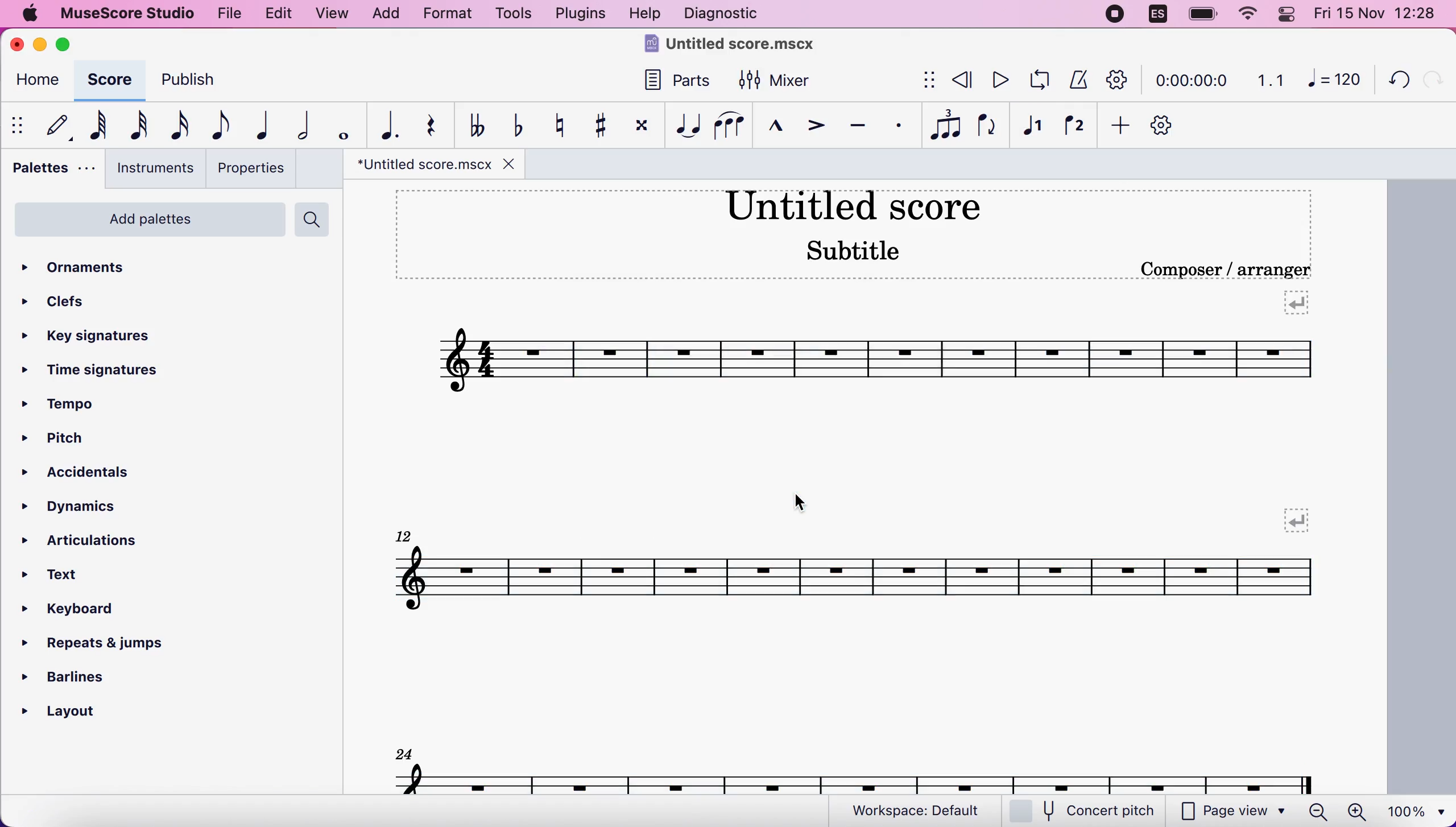  What do you see at coordinates (250, 168) in the screenshot?
I see `properties` at bounding box center [250, 168].